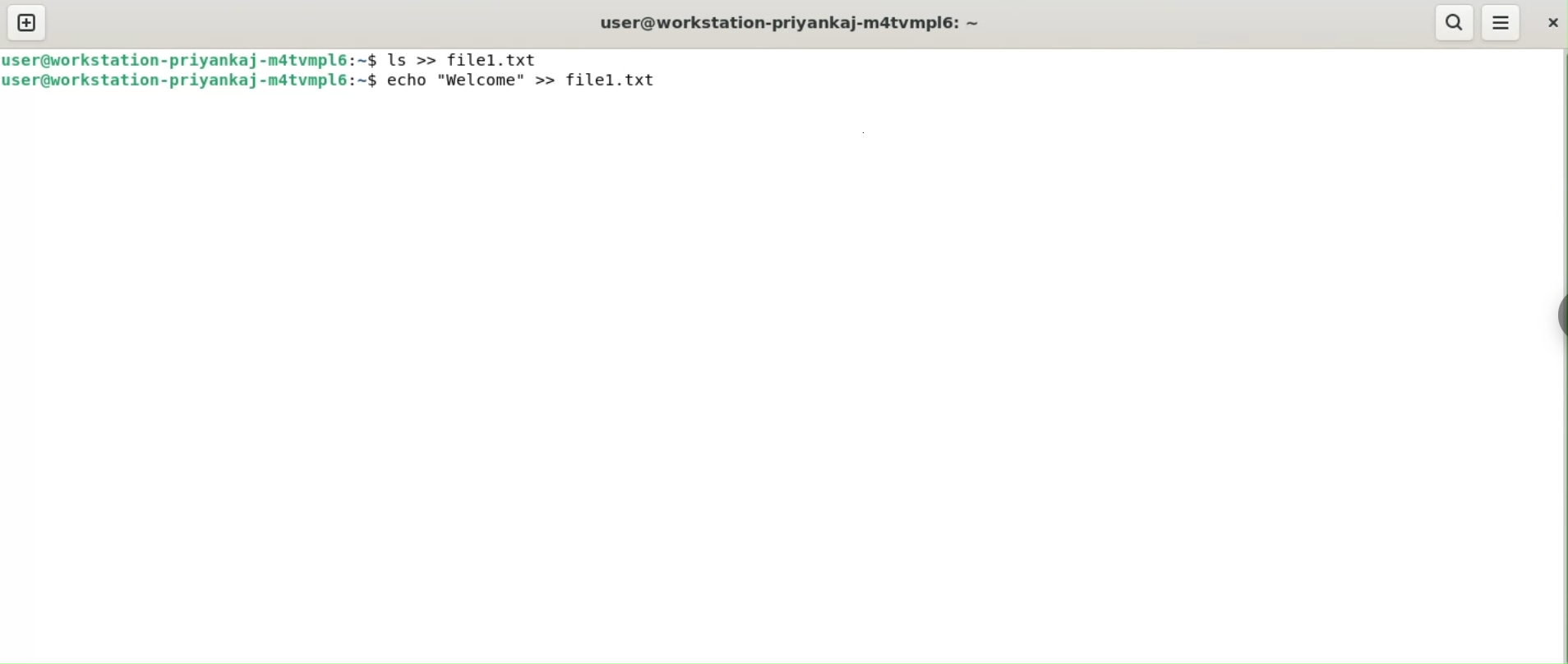 The height and width of the screenshot is (664, 1568). What do you see at coordinates (1501, 21) in the screenshot?
I see `menu` at bounding box center [1501, 21].